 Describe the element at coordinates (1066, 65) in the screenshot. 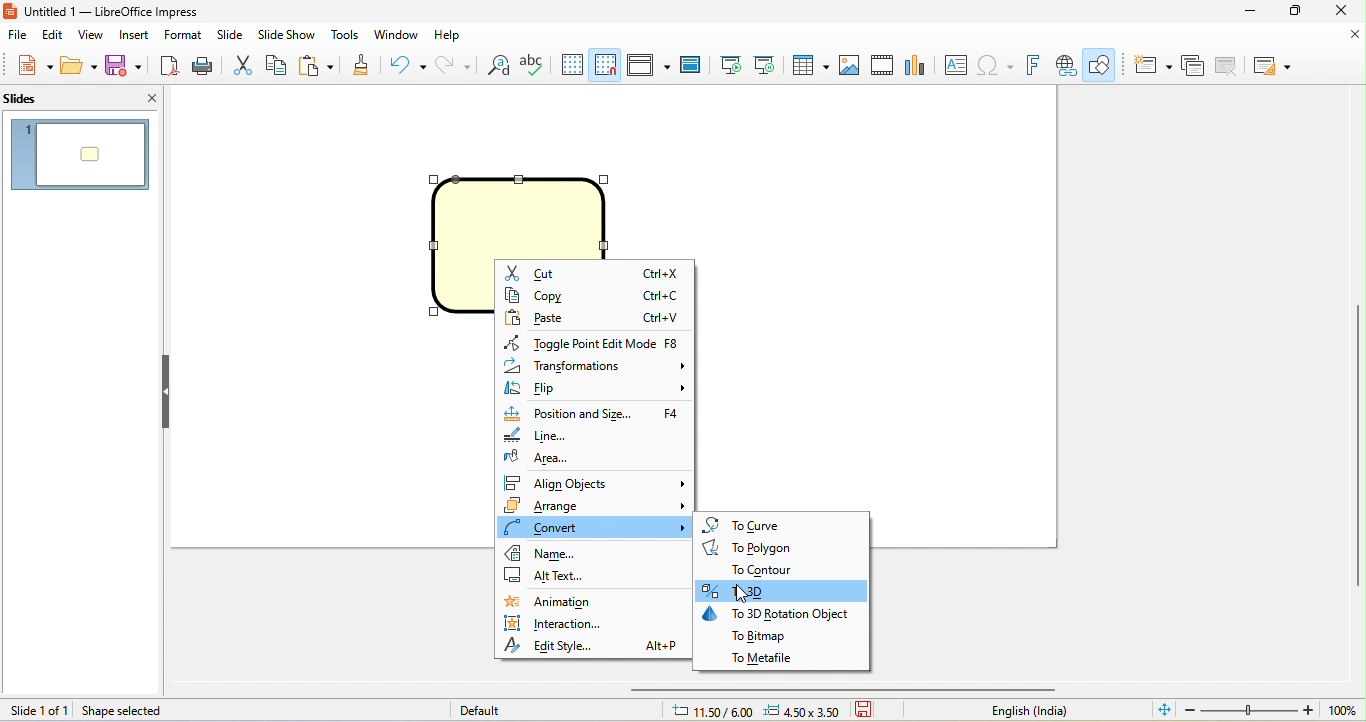

I see `hyperlink` at that location.